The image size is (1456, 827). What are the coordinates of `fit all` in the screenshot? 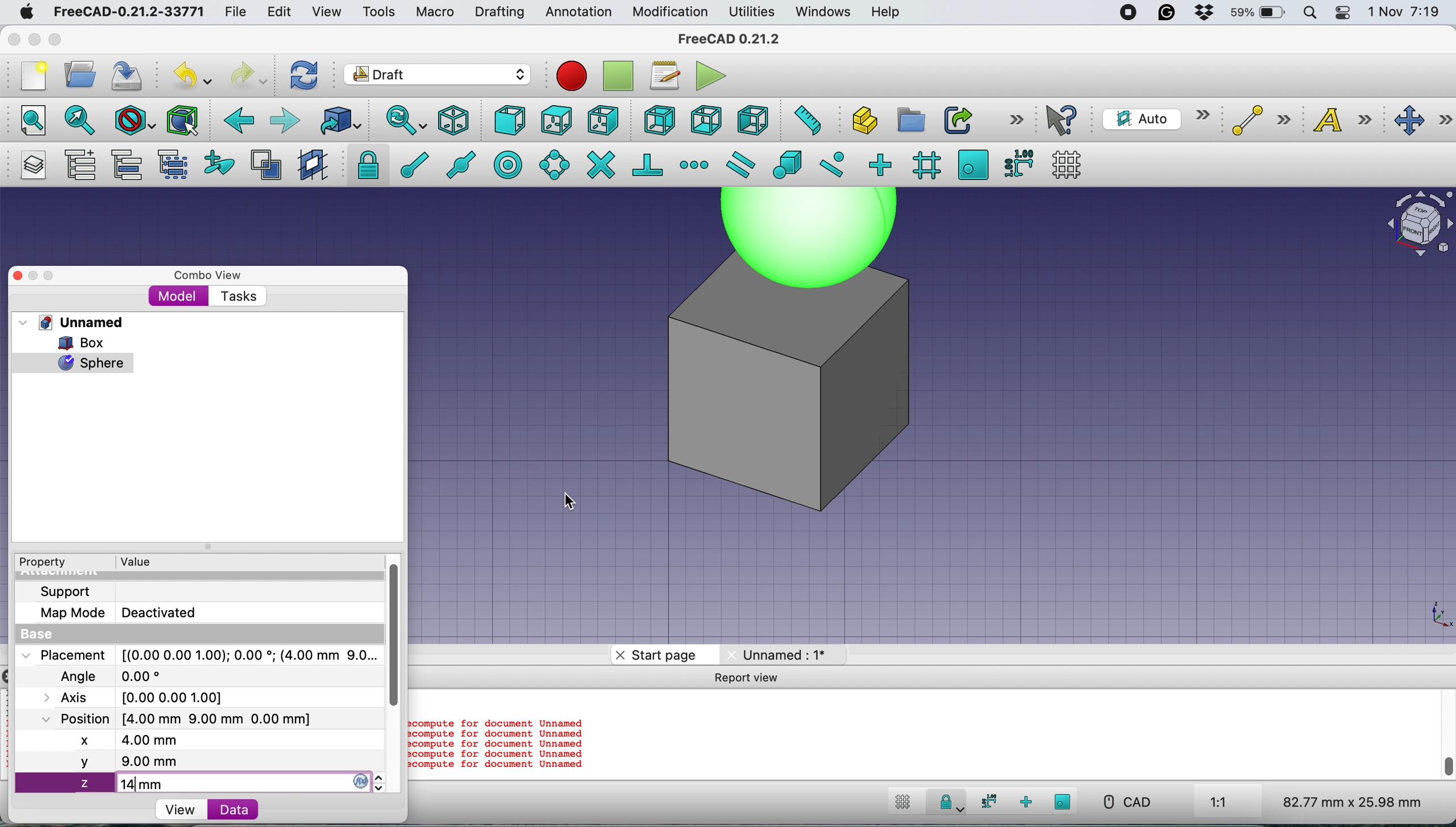 It's located at (27, 119).